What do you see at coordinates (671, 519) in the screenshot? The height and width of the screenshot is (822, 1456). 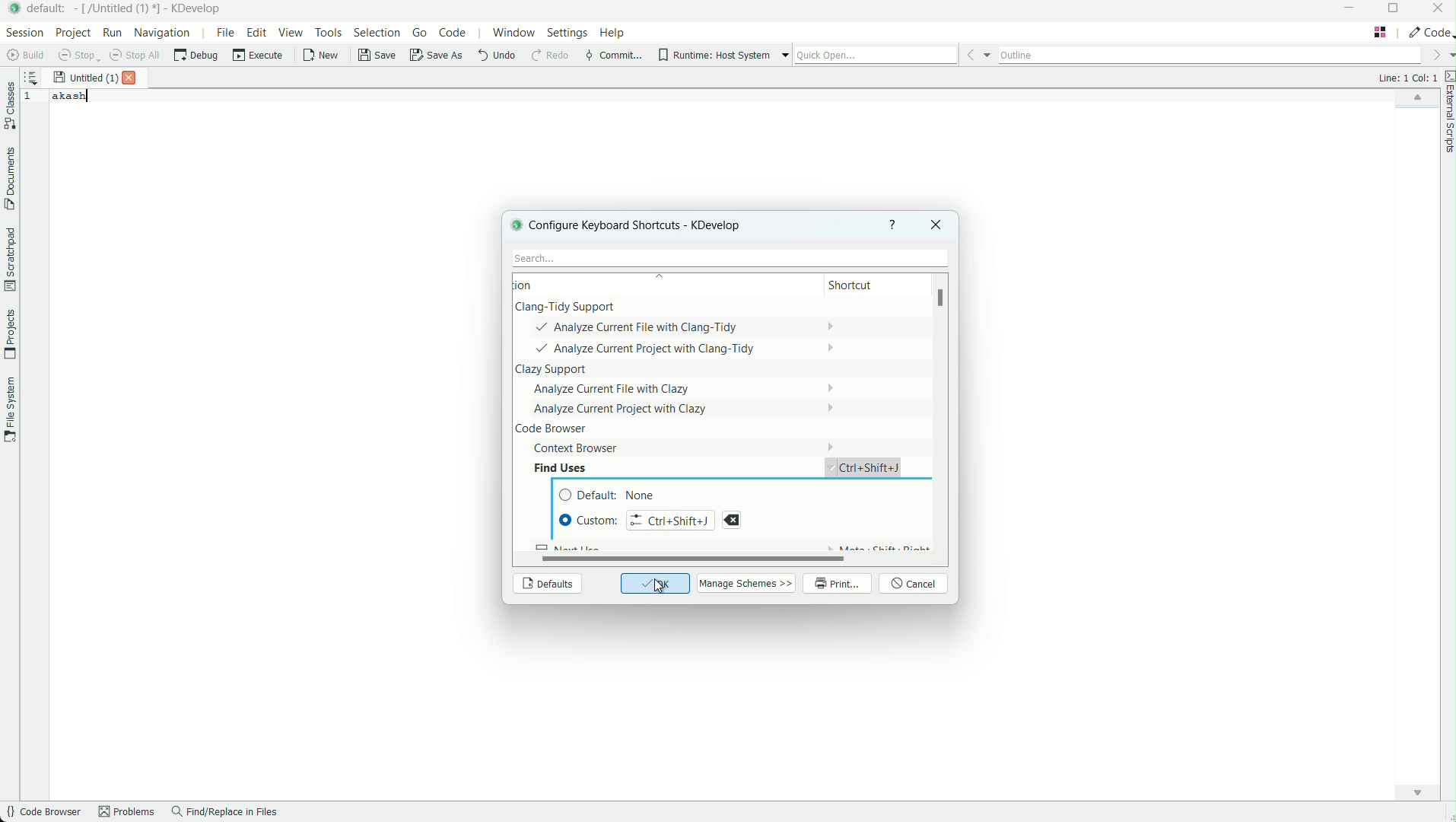 I see `input` at bounding box center [671, 519].